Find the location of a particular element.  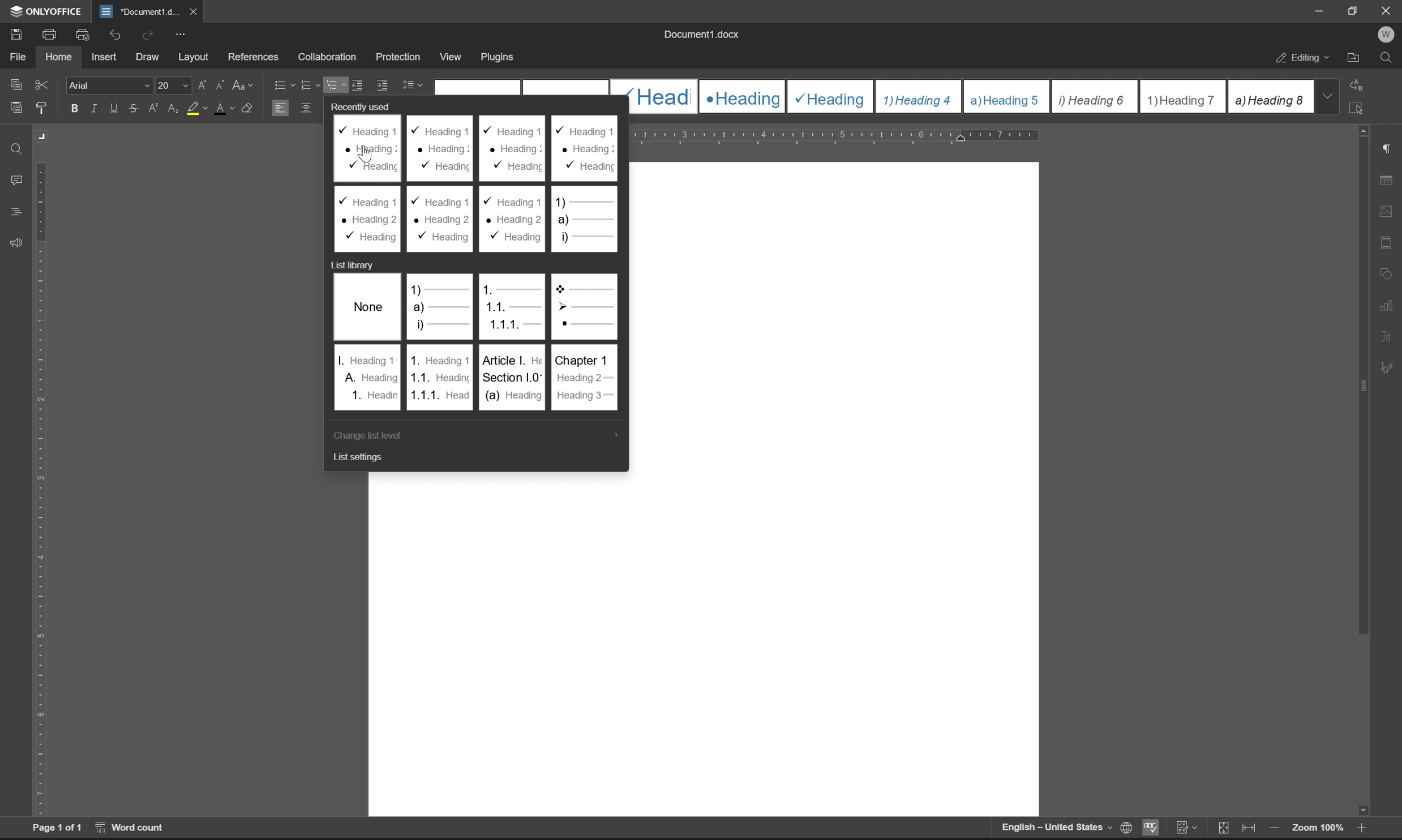

Heading 4 is located at coordinates (919, 97).